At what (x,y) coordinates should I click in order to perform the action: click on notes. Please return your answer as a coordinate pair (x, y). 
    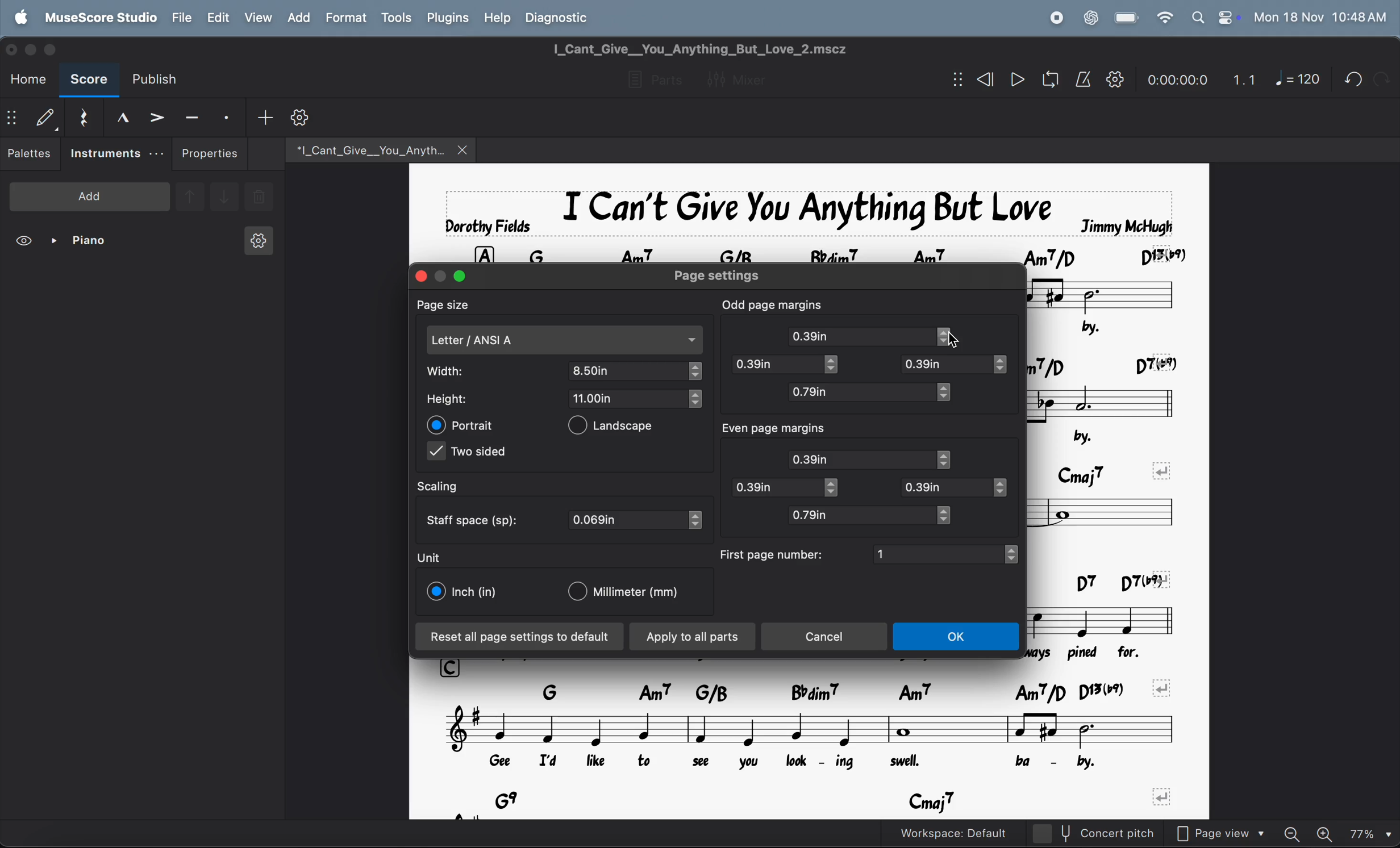
    Looking at the image, I should click on (1106, 404).